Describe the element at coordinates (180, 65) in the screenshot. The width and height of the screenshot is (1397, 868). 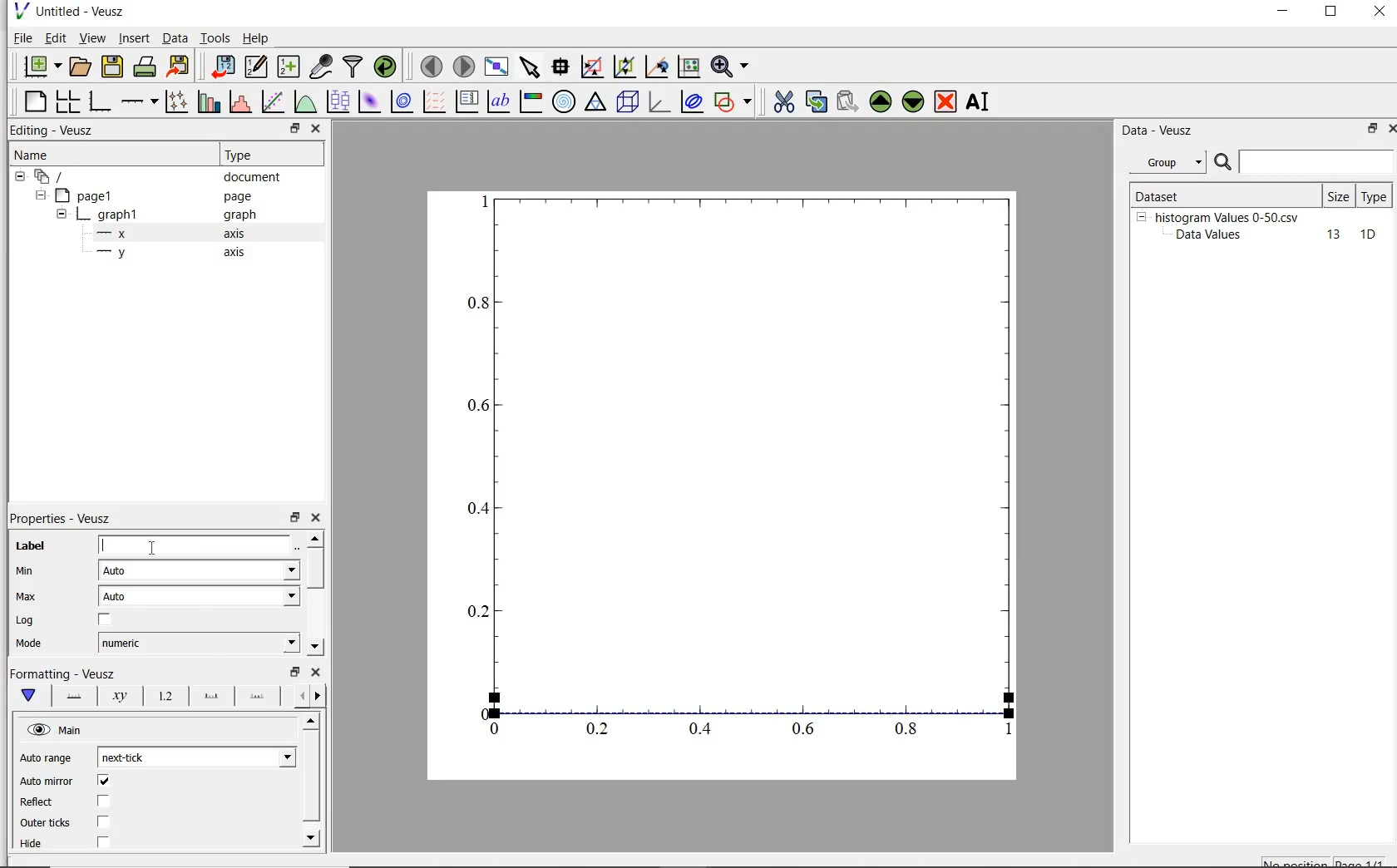
I see `export to graphics format` at that location.